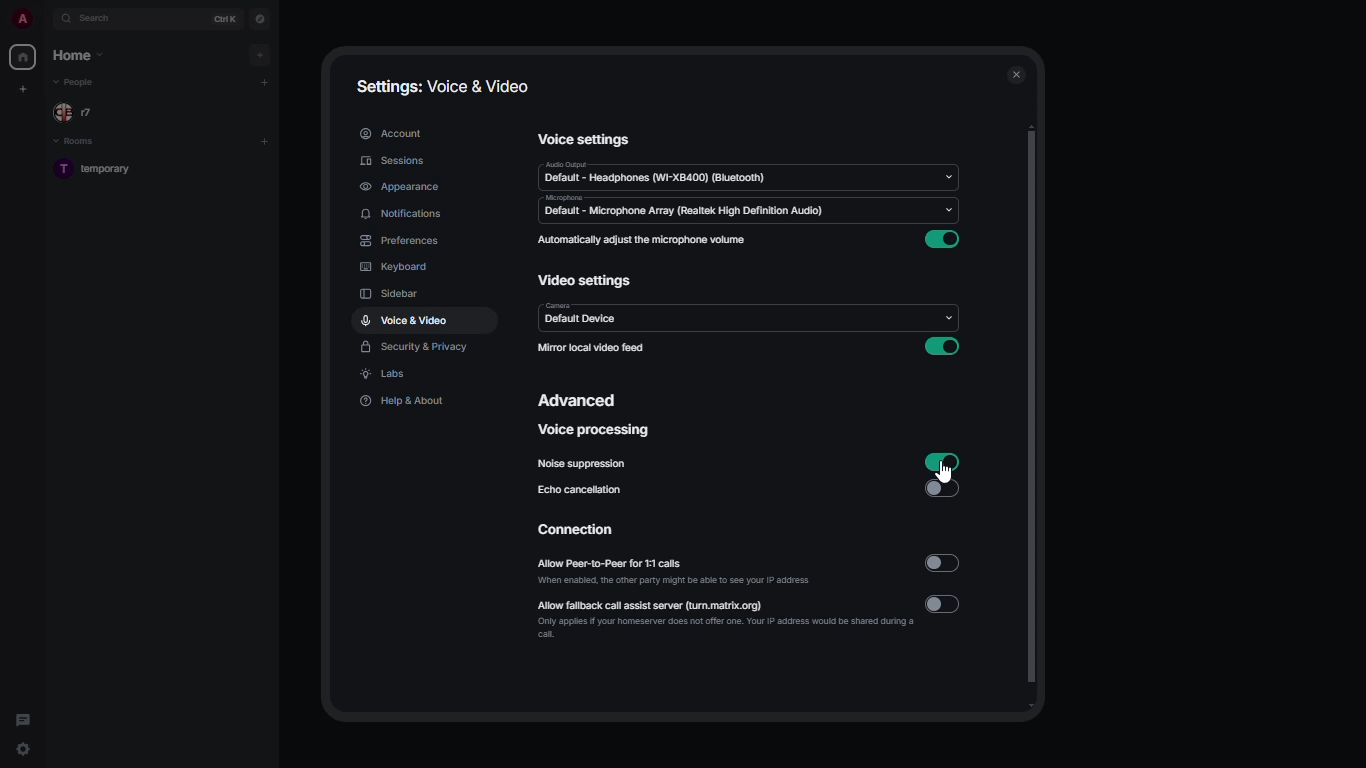 This screenshot has width=1366, height=768. I want to click on disabled, so click(943, 487).